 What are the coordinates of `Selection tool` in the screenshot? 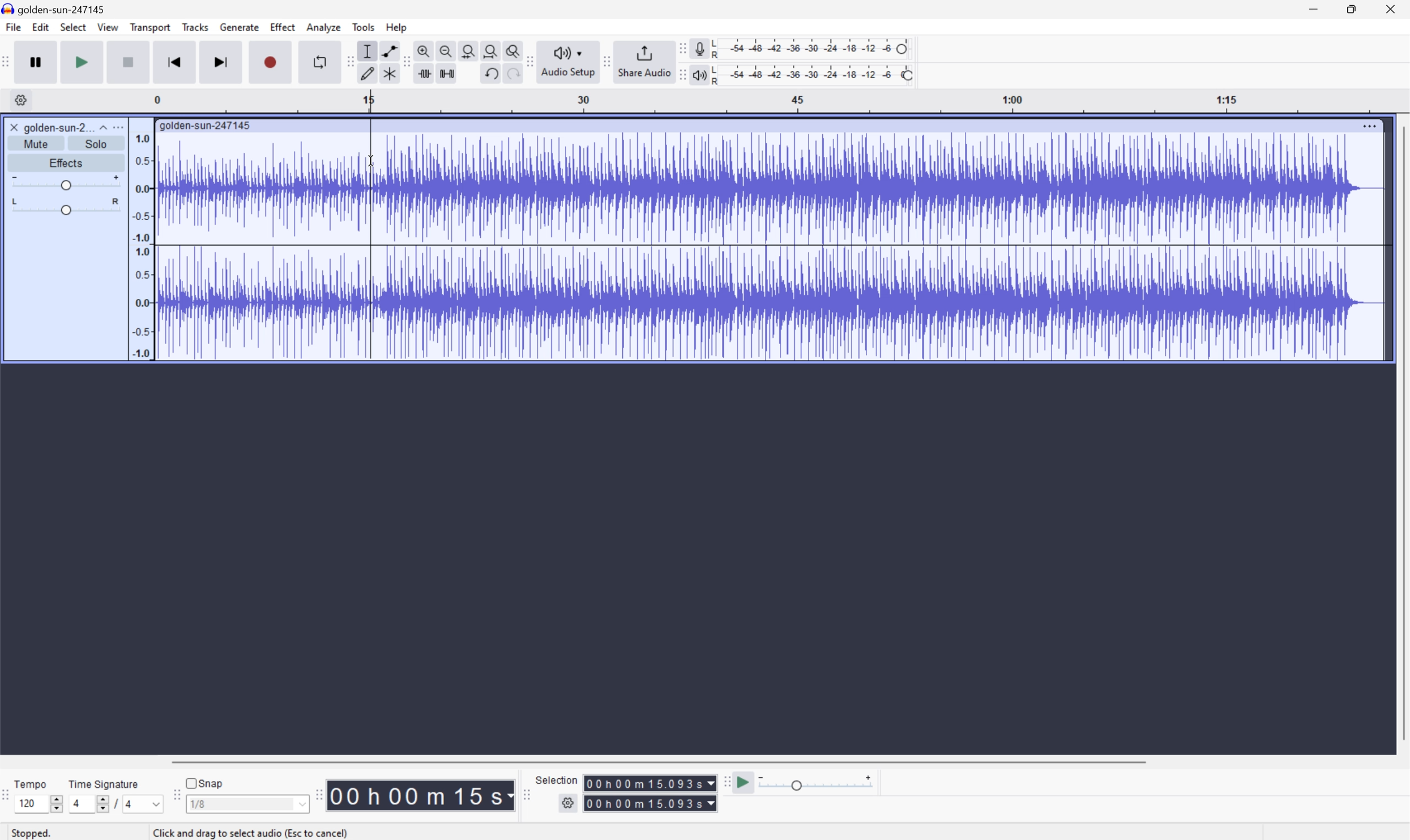 It's located at (366, 51).